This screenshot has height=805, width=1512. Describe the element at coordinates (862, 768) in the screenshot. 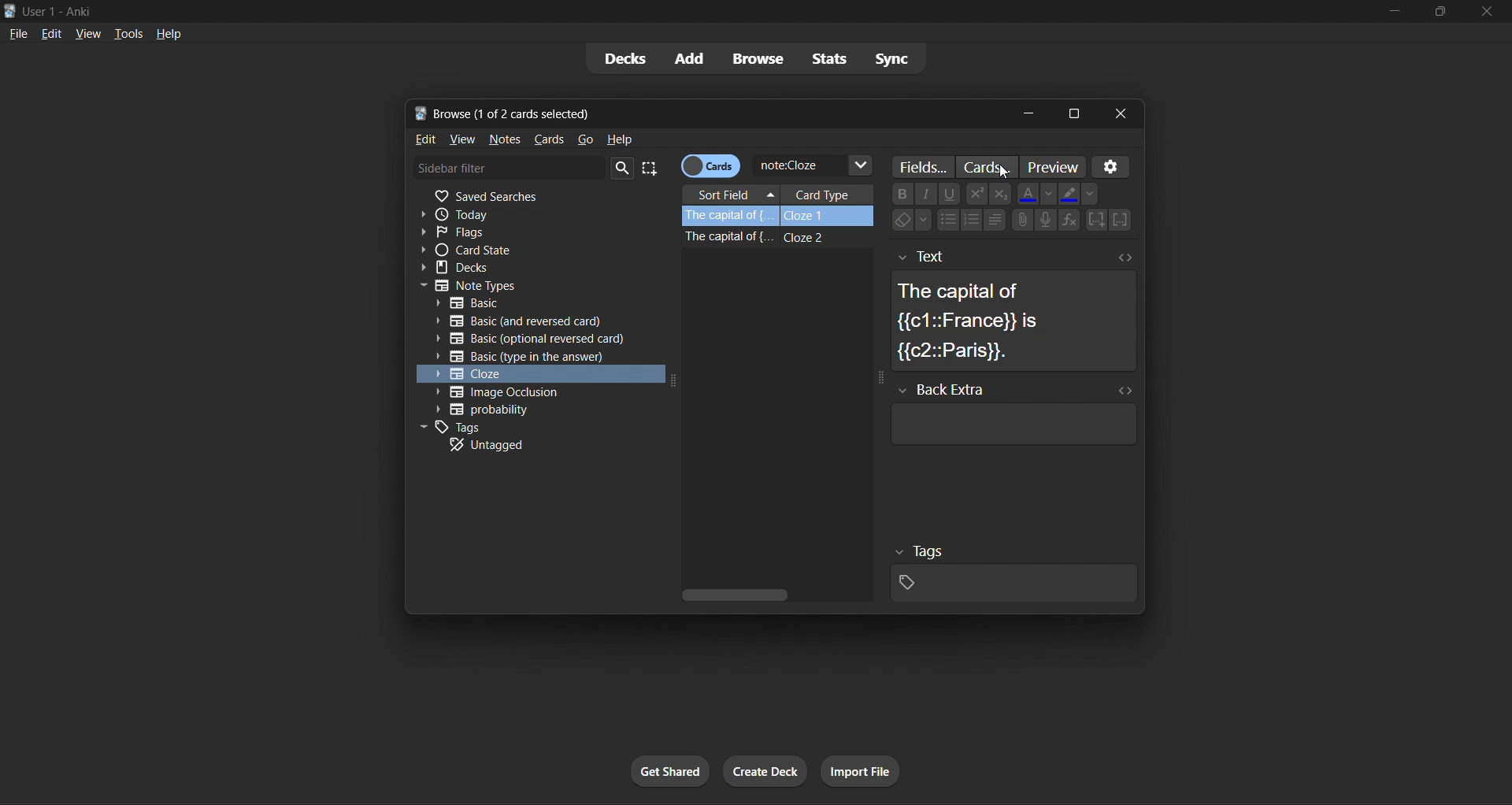

I see `import file` at that location.